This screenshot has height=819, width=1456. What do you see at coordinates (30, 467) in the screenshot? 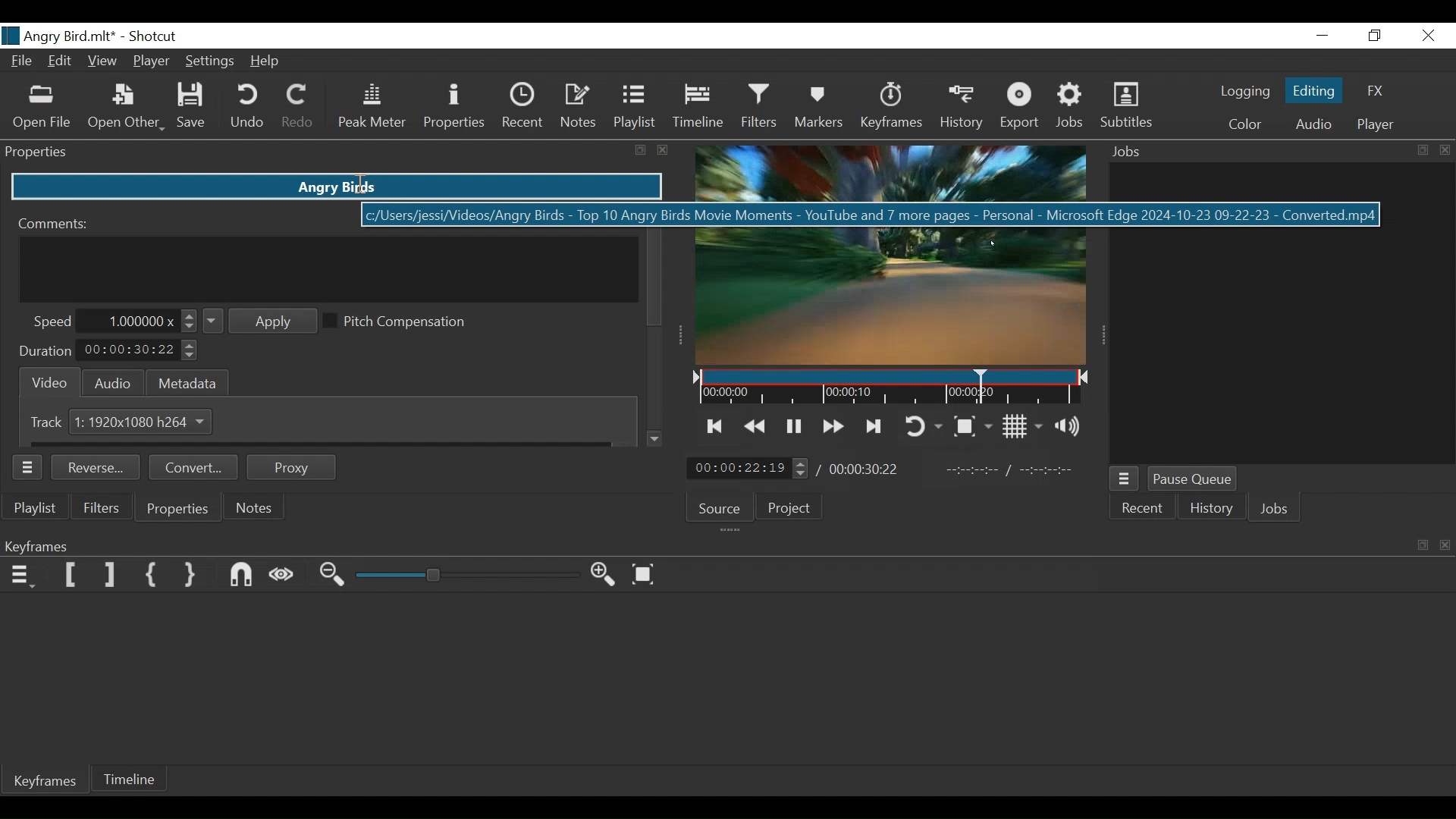
I see `Properties menu` at bounding box center [30, 467].